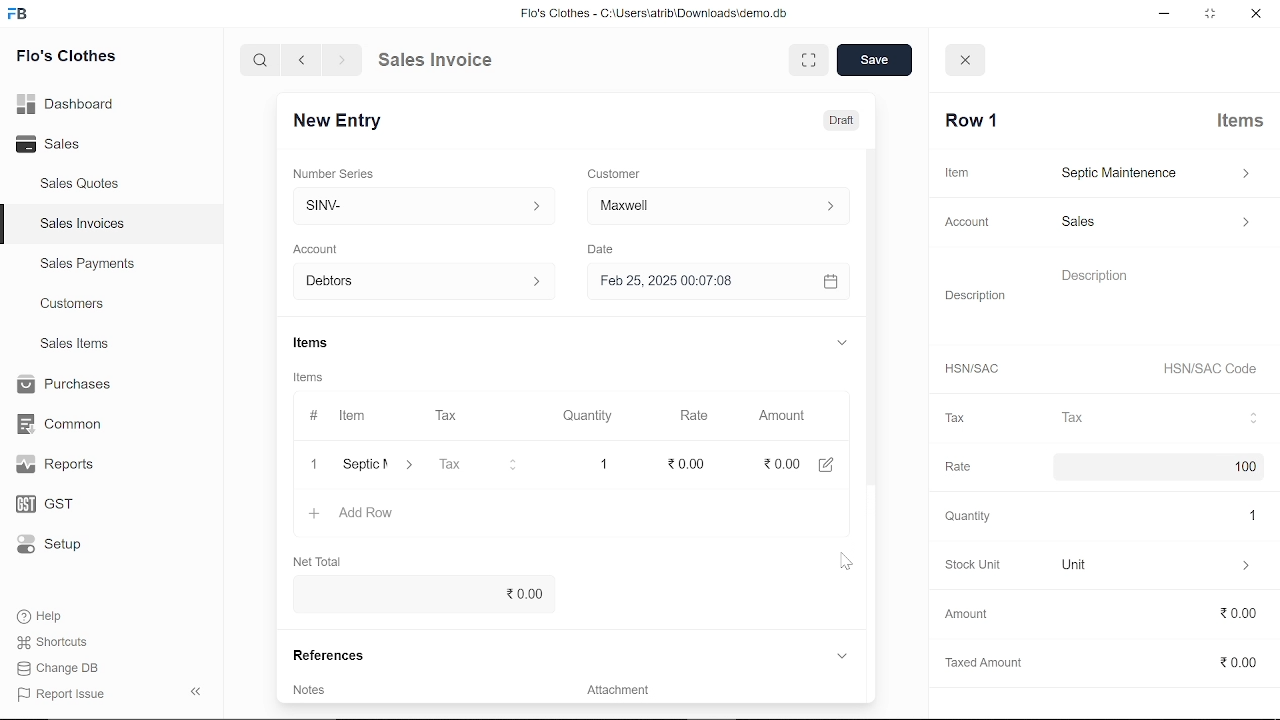 This screenshot has width=1280, height=720. Describe the element at coordinates (604, 248) in the screenshot. I see `Date` at that location.